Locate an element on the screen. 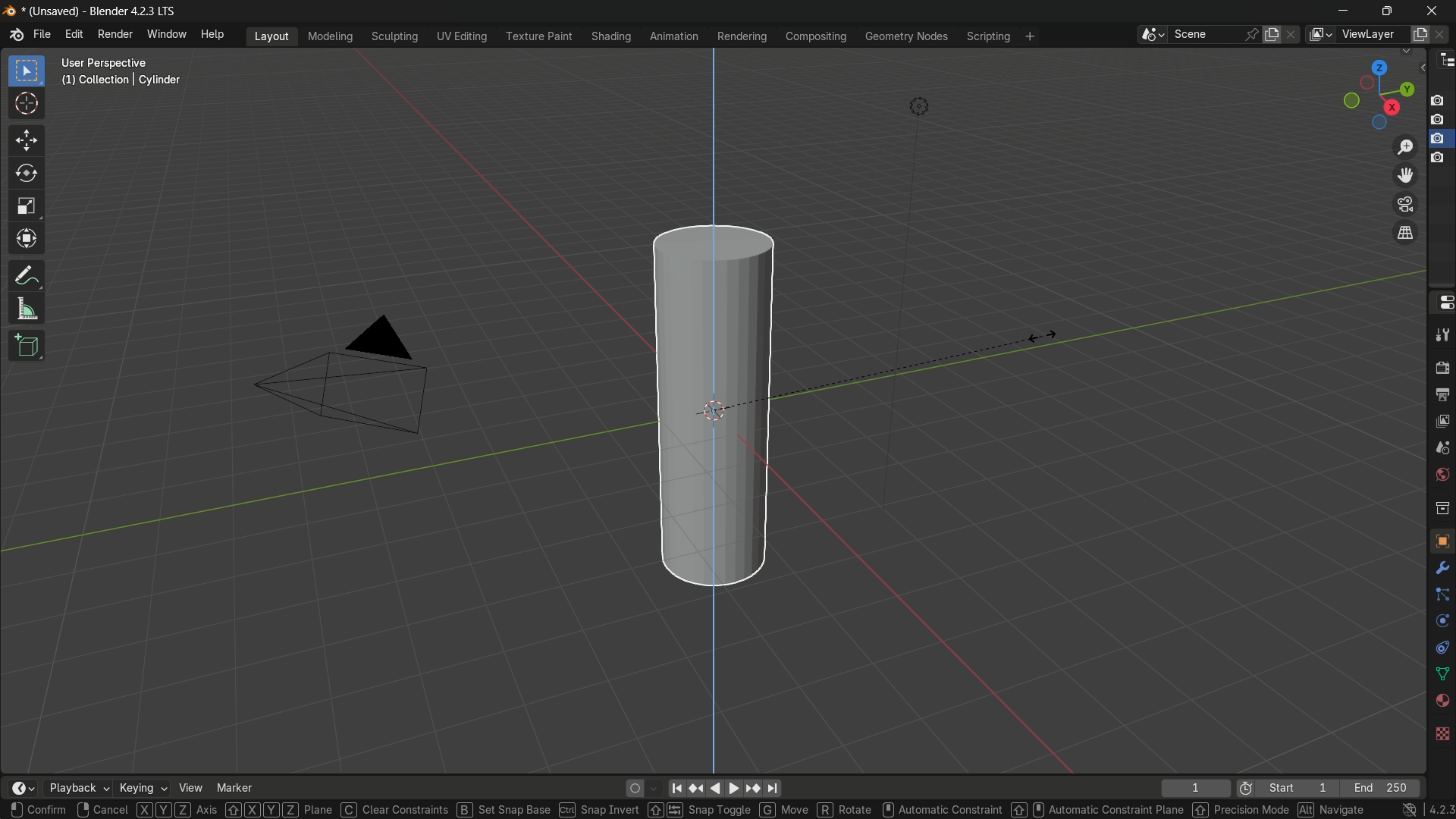 The height and width of the screenshot is (819, 1456). physics is located at coordinates (1441, 623).